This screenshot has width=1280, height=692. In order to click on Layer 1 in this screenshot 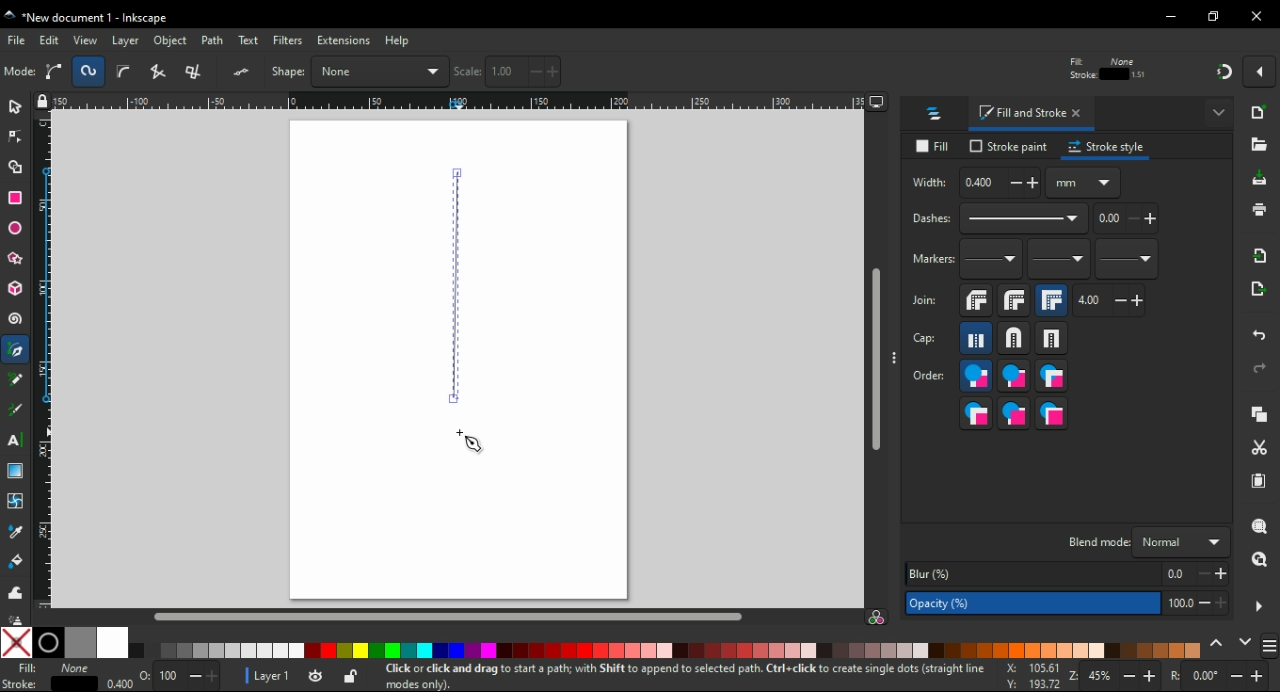, I will do `click(275, 678)`.